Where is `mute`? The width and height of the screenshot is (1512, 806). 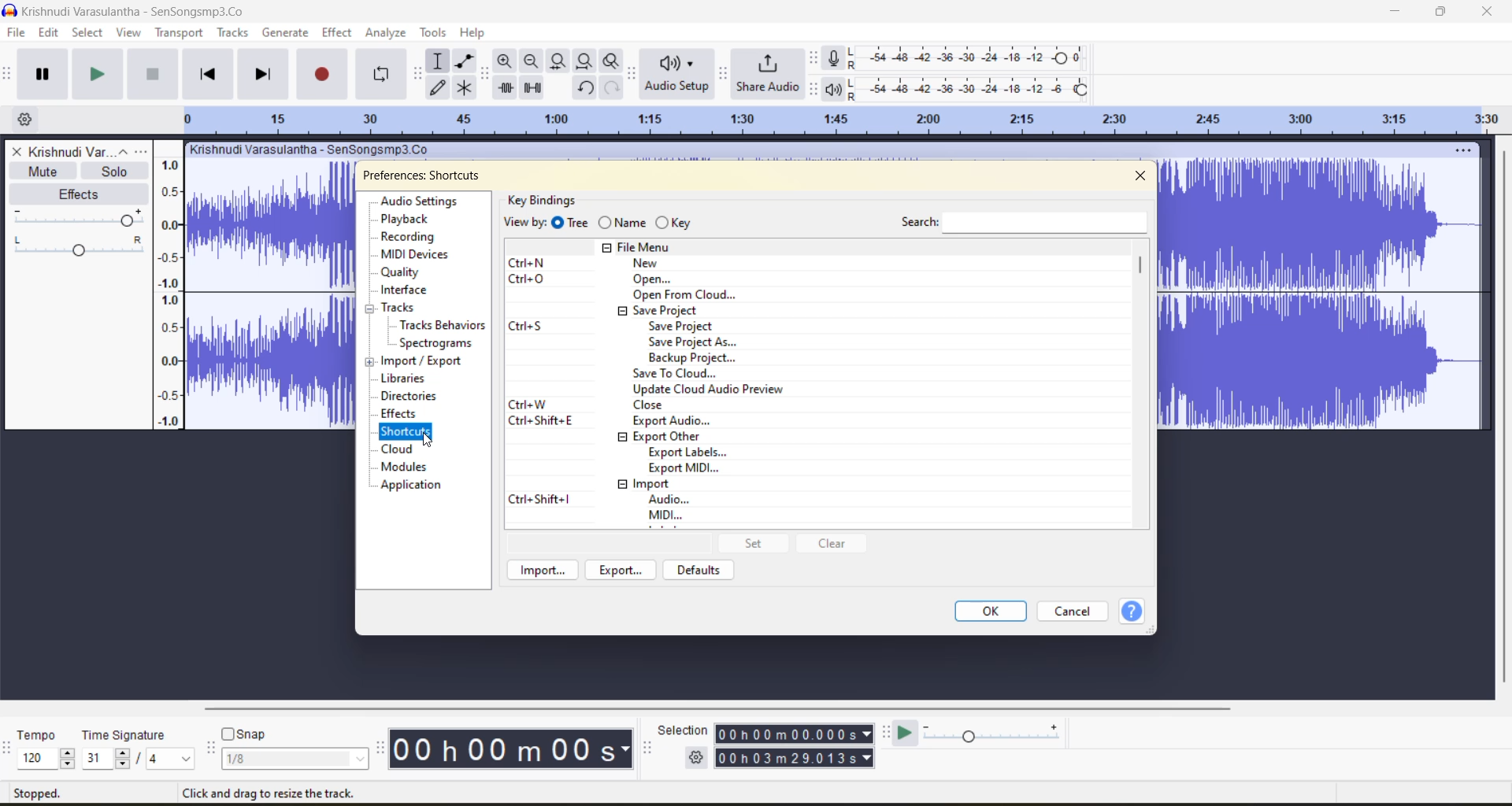 mute is located at coordinates (43, 171).